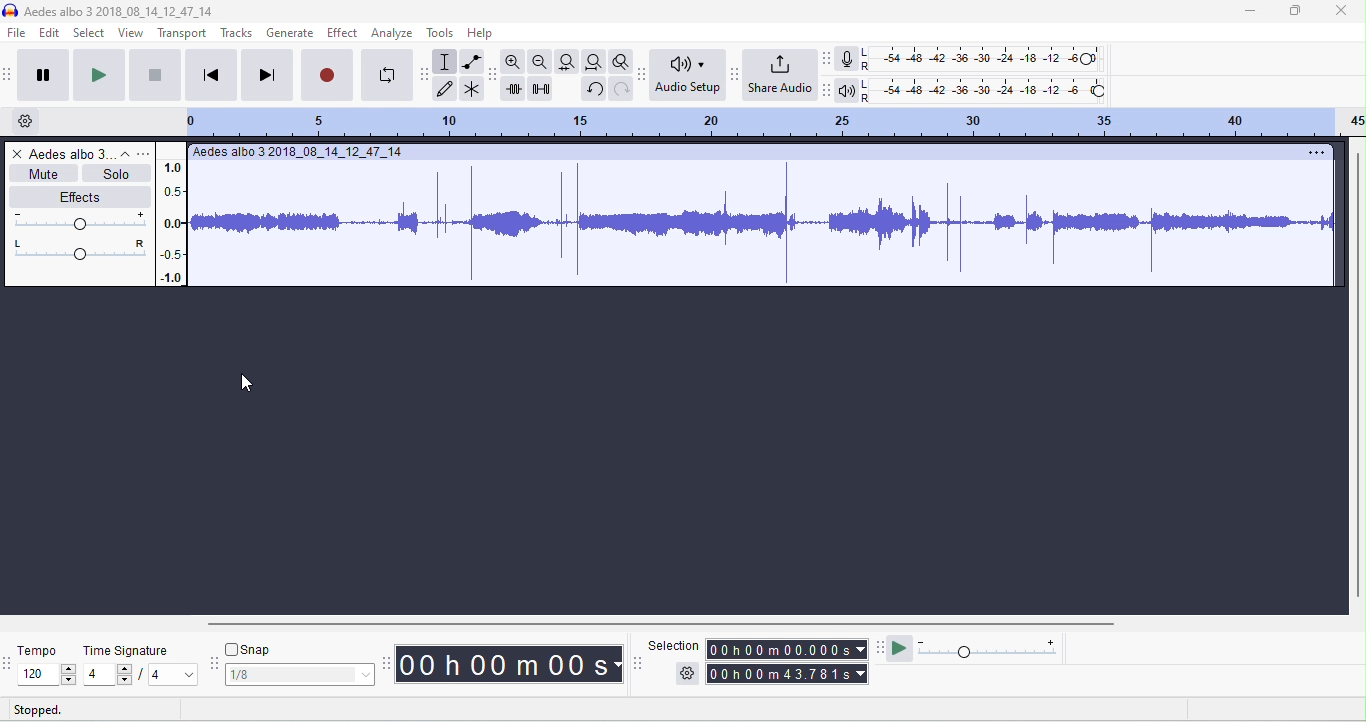 This screenshot has height=722, width=1366. Describe the element at coordinates (427, 74) in the screenshot. I see `audacity tools toolbar` at that location.